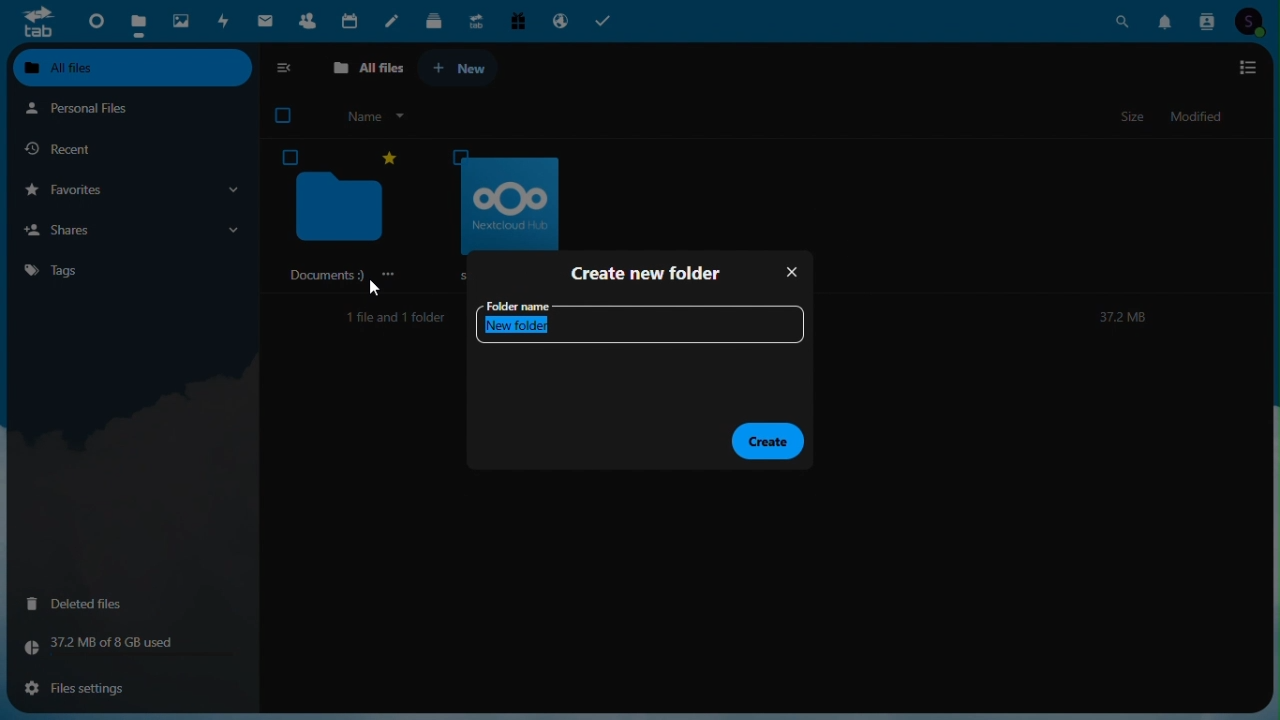  Describe the element at coordinates (126, 649) in the screenshot. I see `Storage` at that location.